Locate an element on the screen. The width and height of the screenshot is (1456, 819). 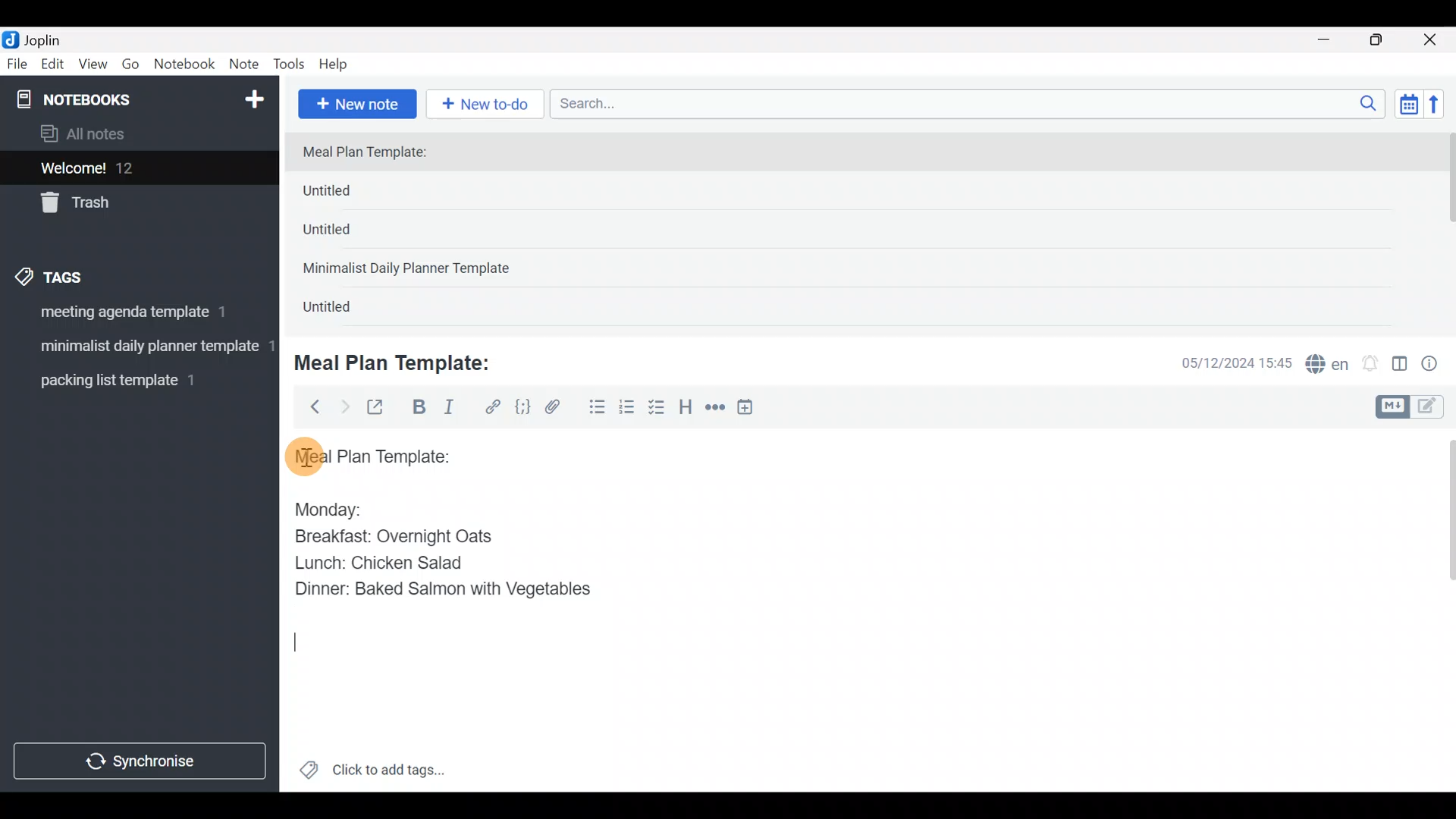
Trash is located at coordinates (130, 204).